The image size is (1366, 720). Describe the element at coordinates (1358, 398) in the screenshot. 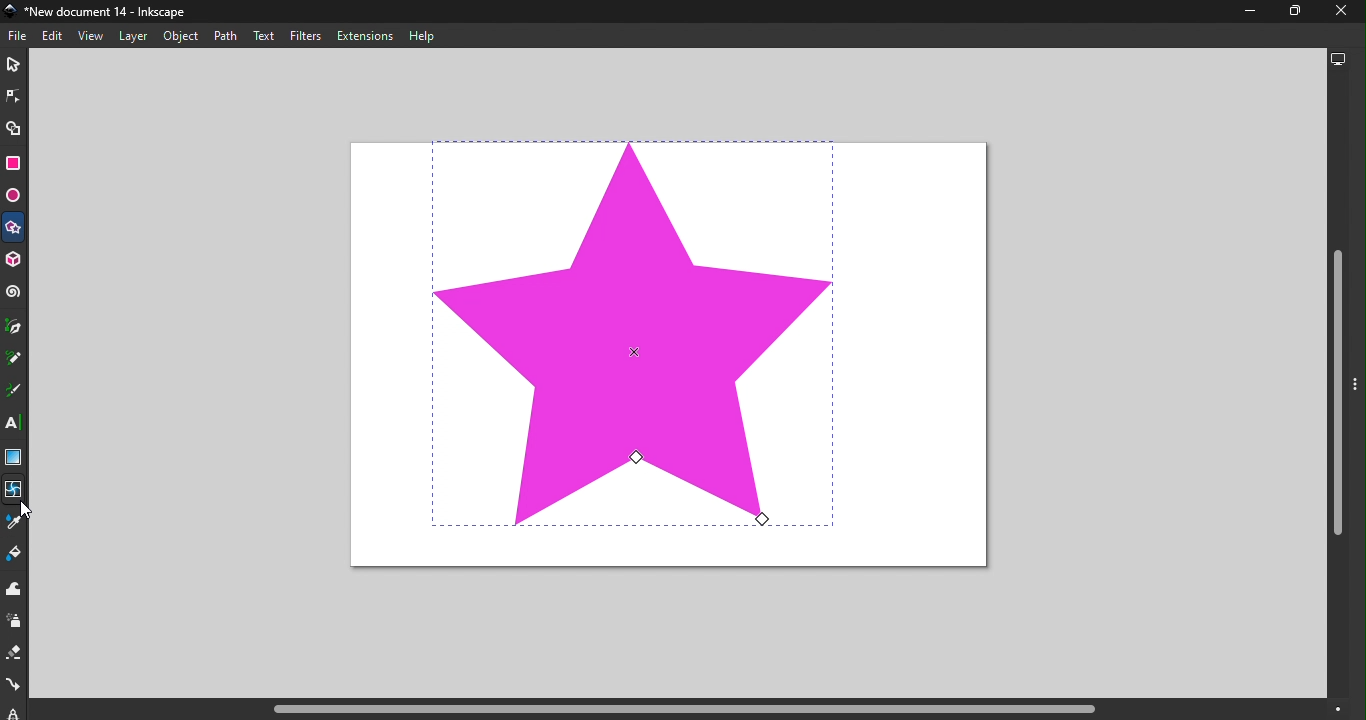

I see `Toggle command panel` at that location.